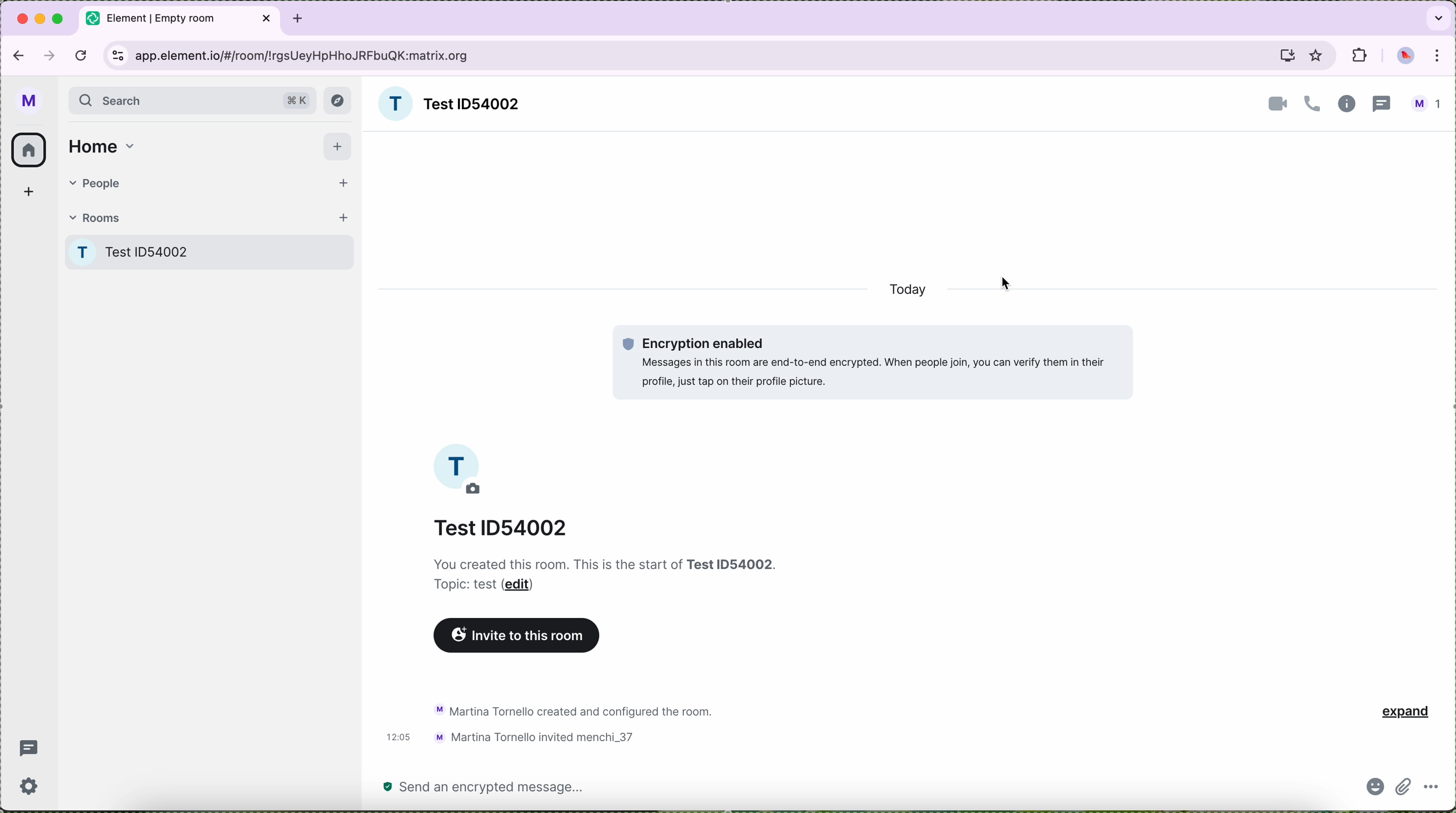 The height and width of the screenshot is (813, 1456). I want to click on today, so click(906, 286).